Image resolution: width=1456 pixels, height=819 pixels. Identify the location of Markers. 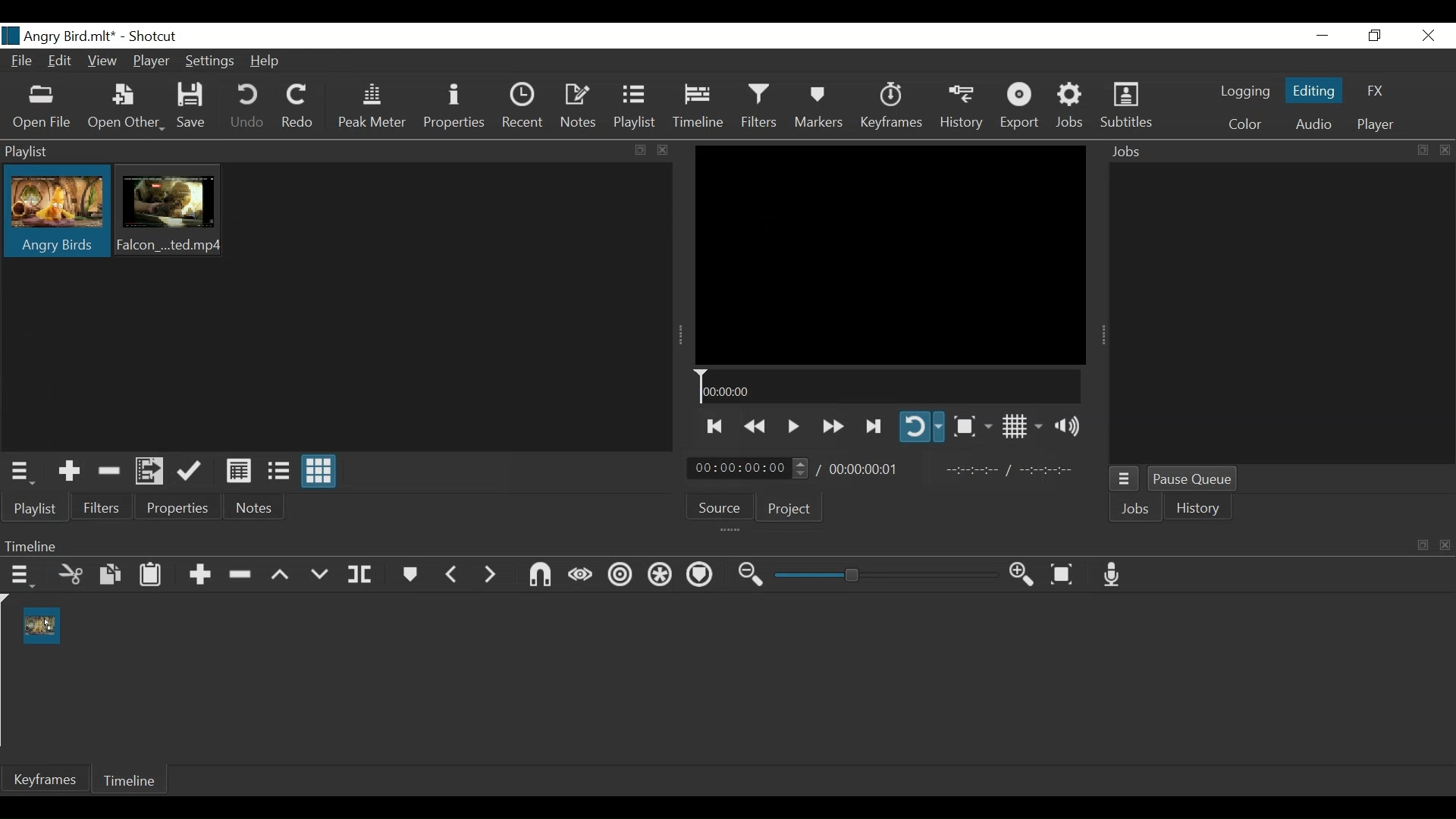
(817, 108).